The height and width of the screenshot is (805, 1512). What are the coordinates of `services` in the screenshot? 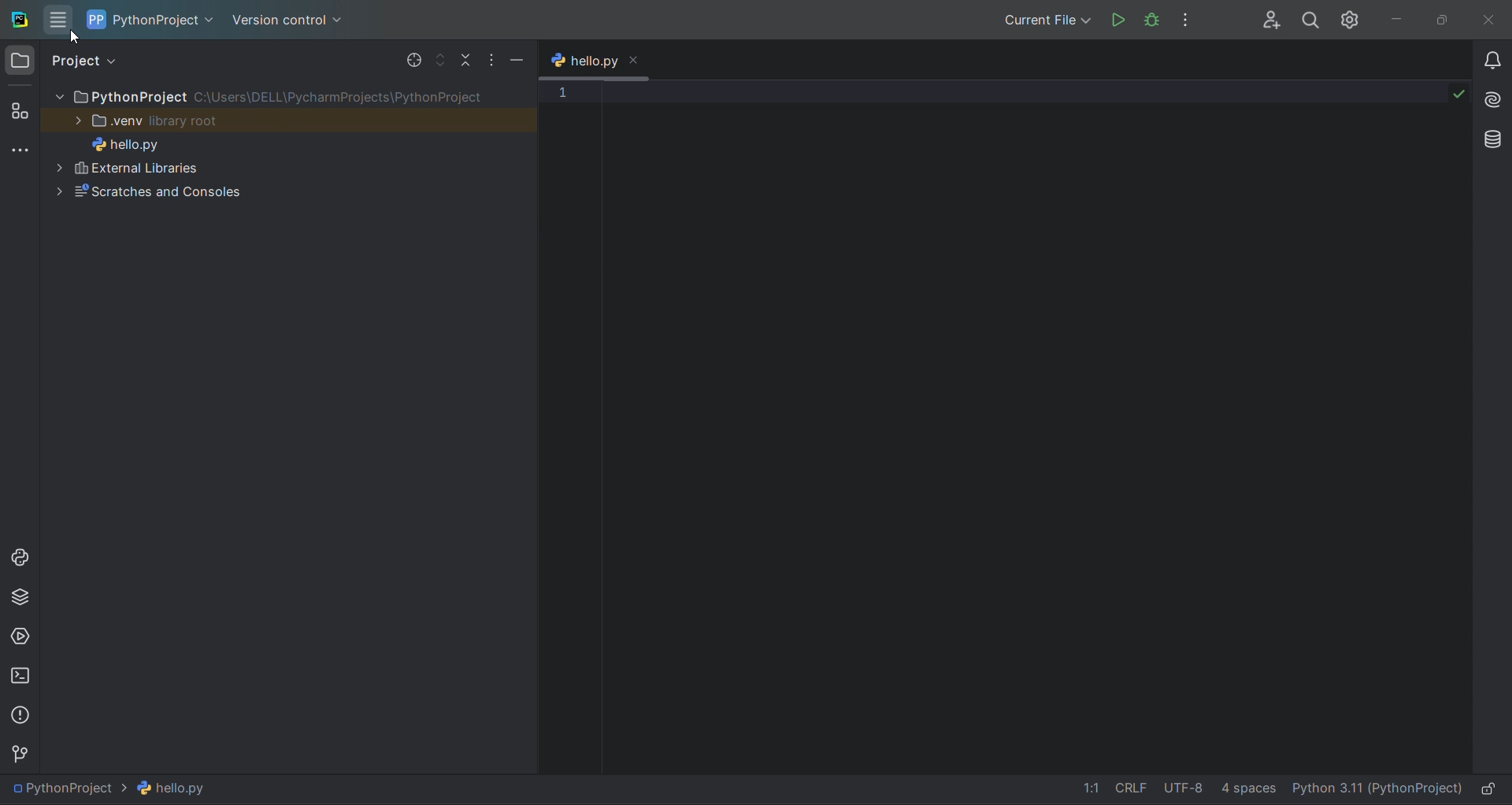 It's located at (22, 636).